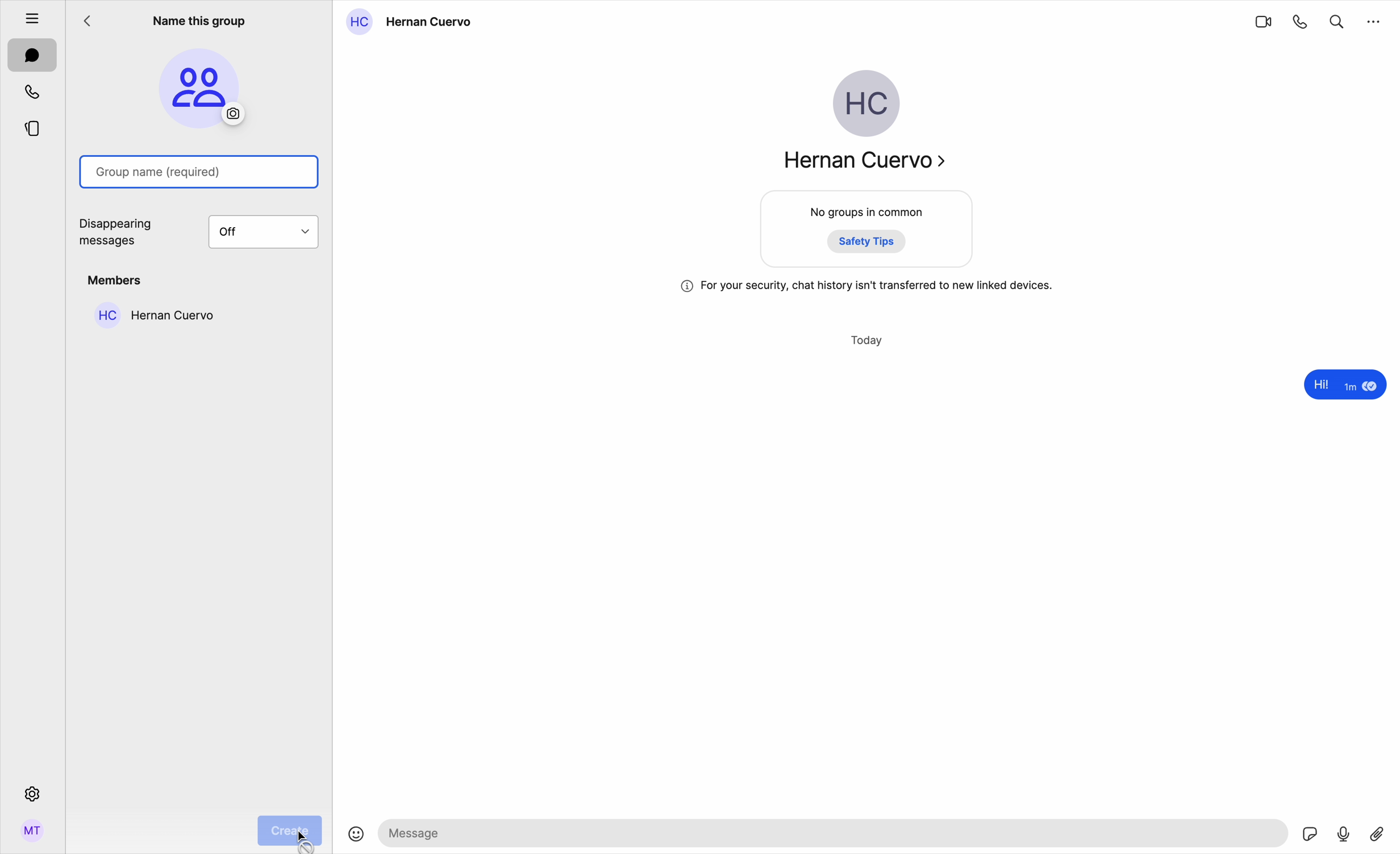 This screenshot has width=1400, height=854. Describe the element at coordinates (862, 126) in the screenshot. I see `Hernan Cuervo profile` at that location.